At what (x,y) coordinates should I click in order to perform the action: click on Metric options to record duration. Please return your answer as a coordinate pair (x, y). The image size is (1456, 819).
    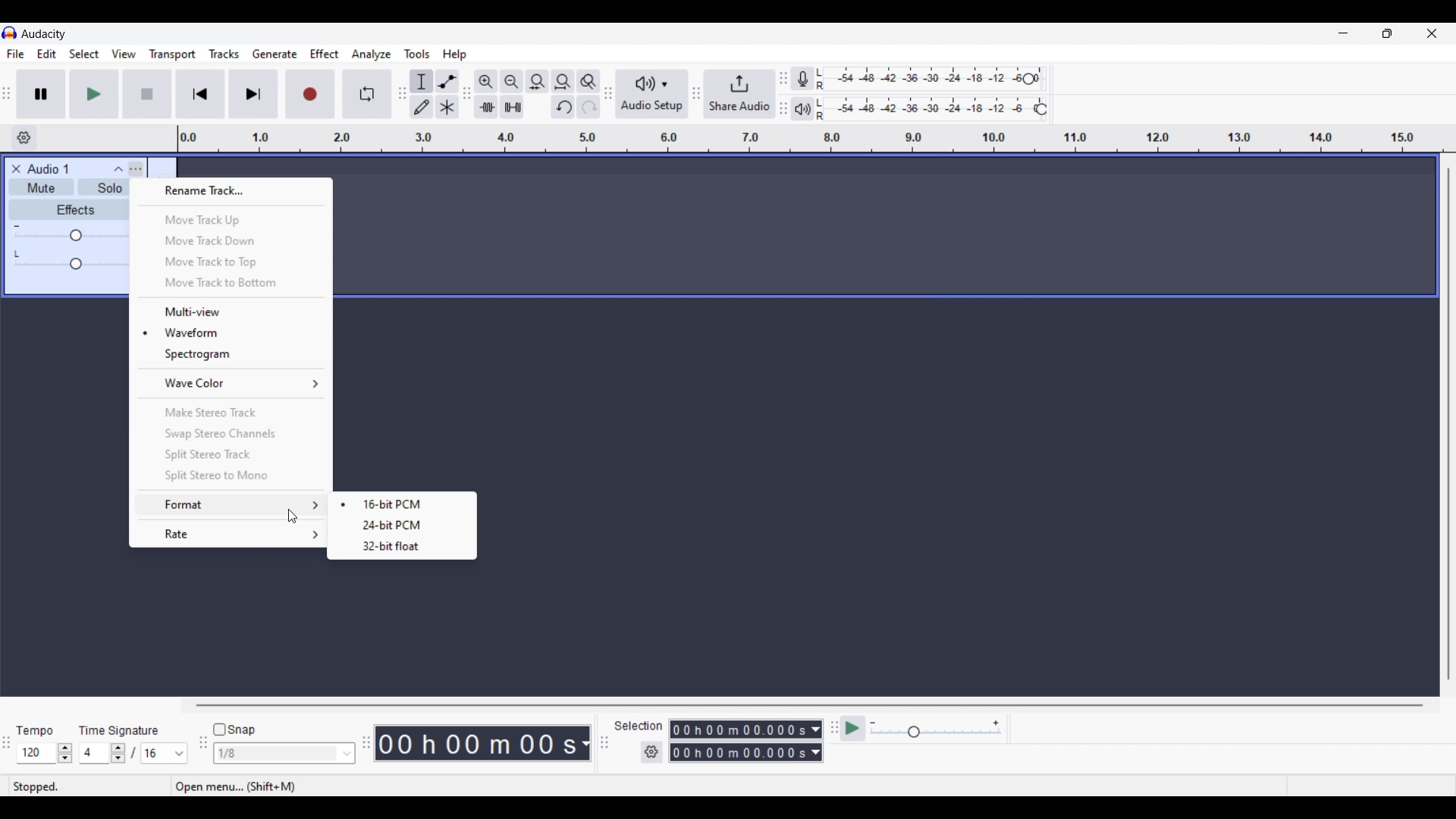
    Looking at the image, I should click on (814, 742).